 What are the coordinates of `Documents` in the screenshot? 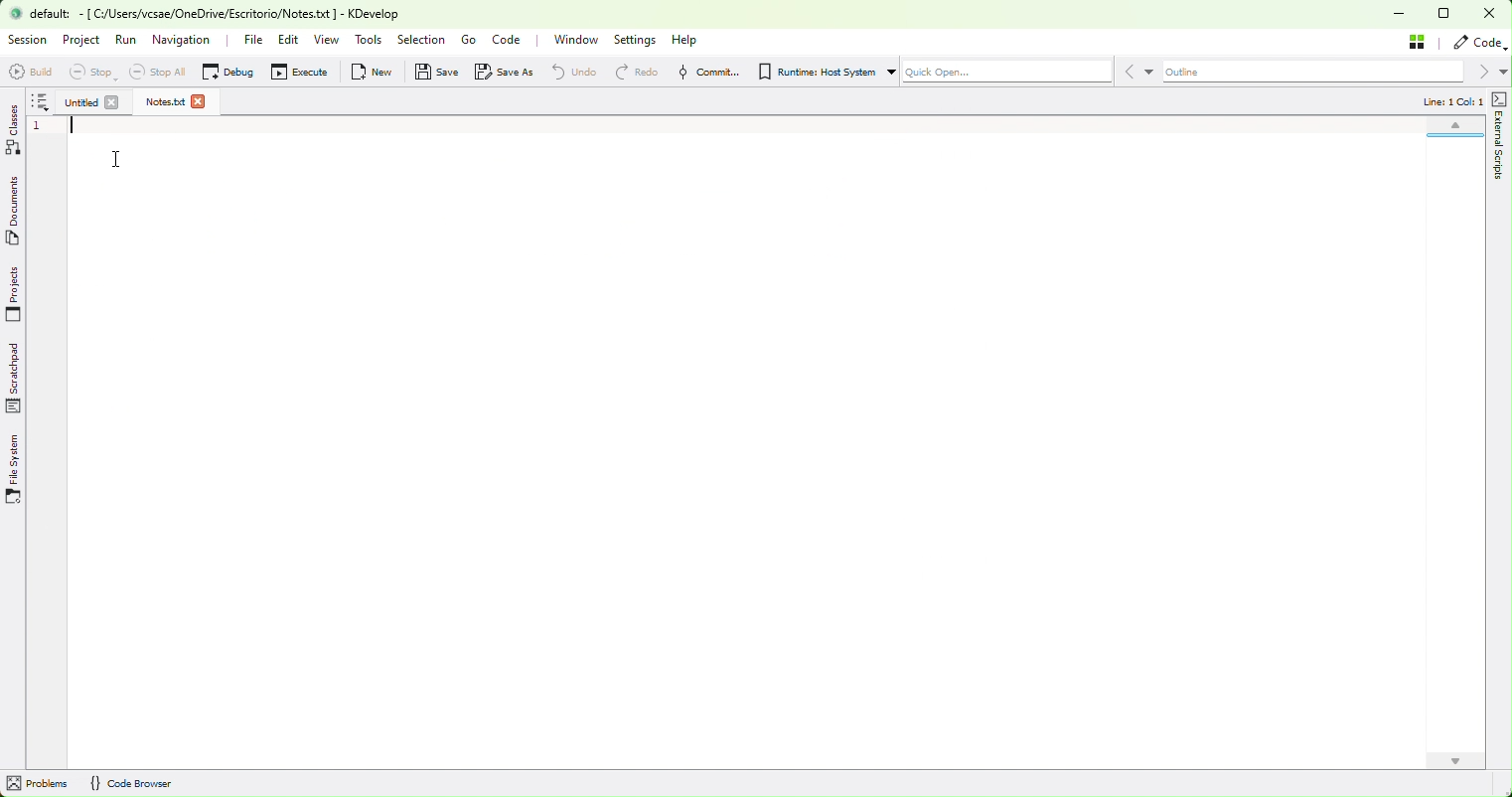 It's located at (17, 214).